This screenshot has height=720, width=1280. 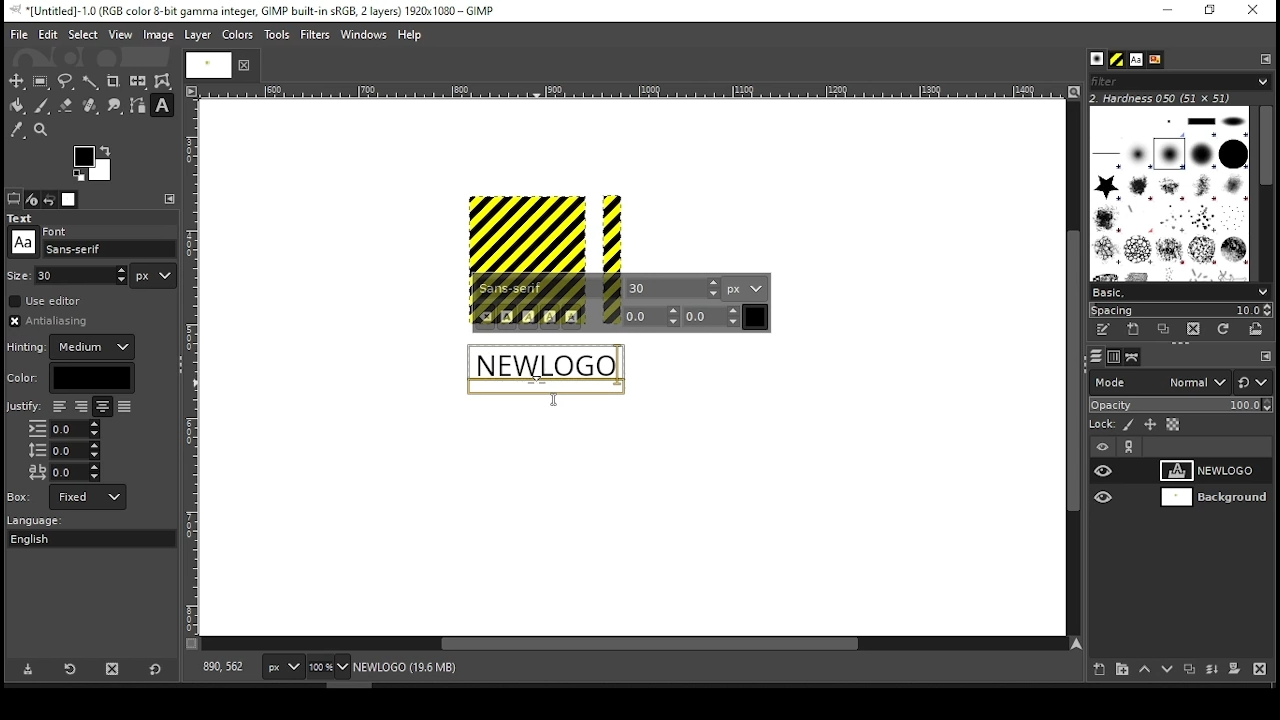 What do you see at coordinates (1234, 670) in the screenshot?
I see `mask  layer` at bounding box center [1234, 670].